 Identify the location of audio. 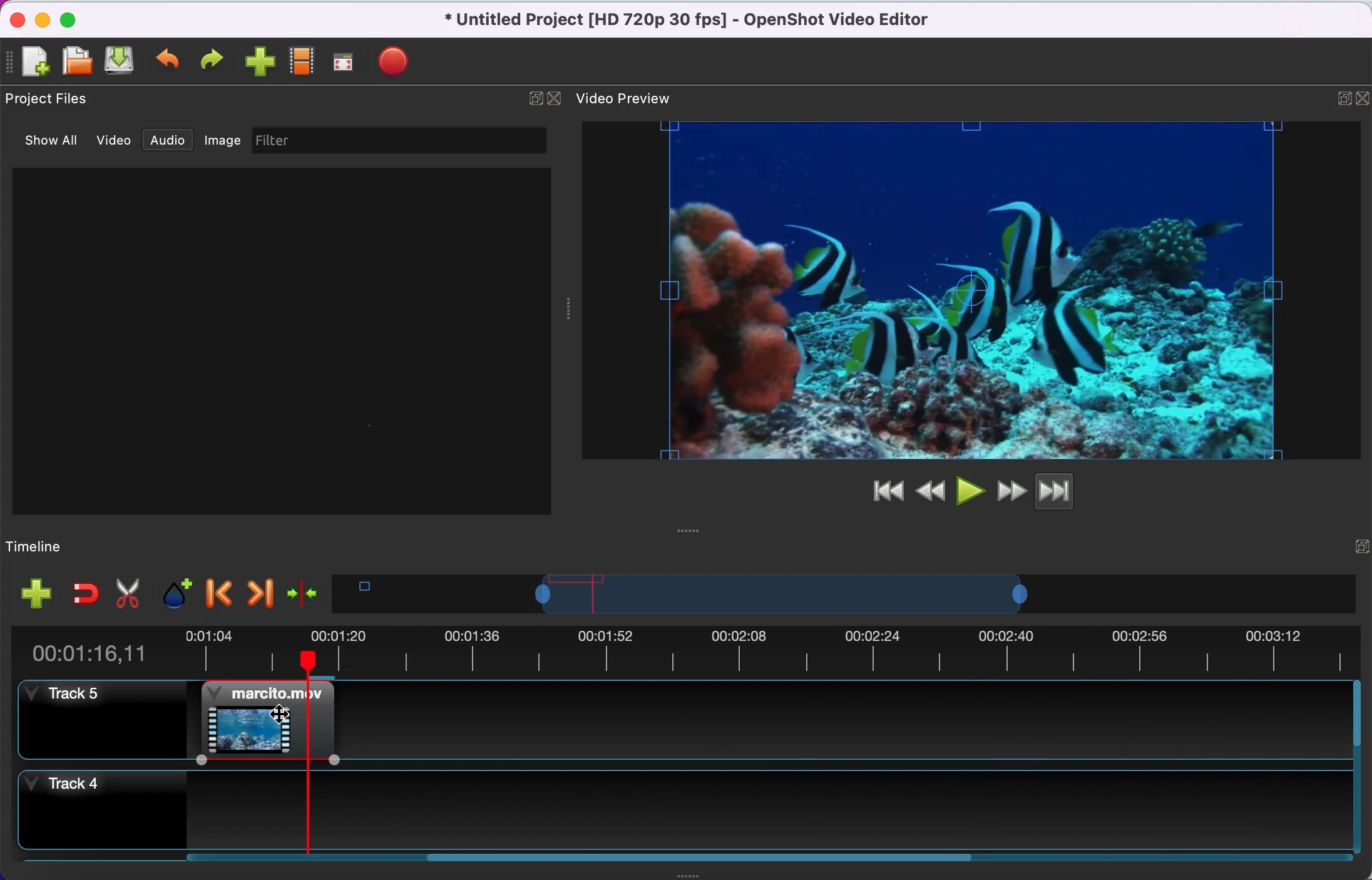
(166, 139).